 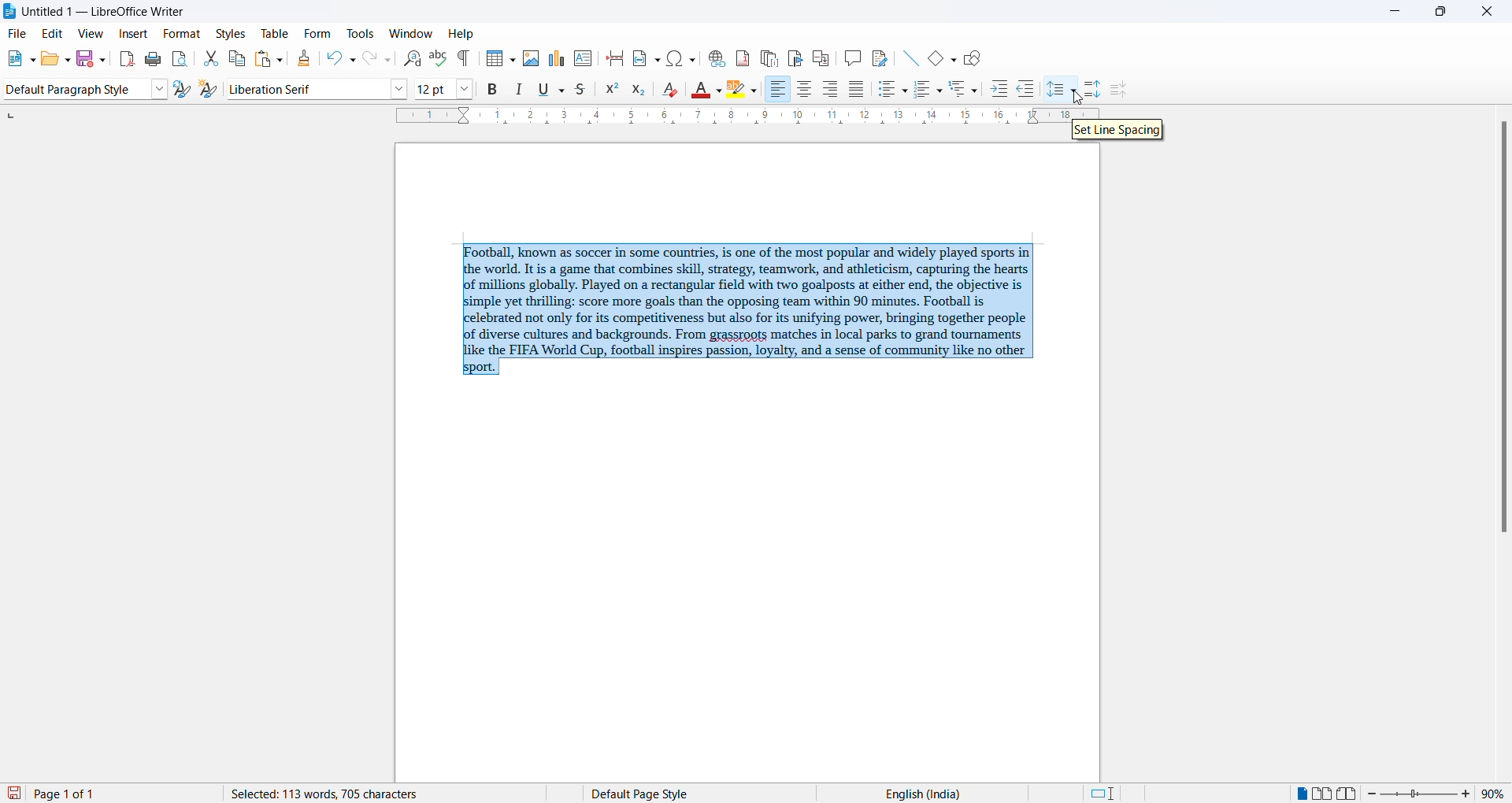 I want to click on copy, so click(x=237, y=59).